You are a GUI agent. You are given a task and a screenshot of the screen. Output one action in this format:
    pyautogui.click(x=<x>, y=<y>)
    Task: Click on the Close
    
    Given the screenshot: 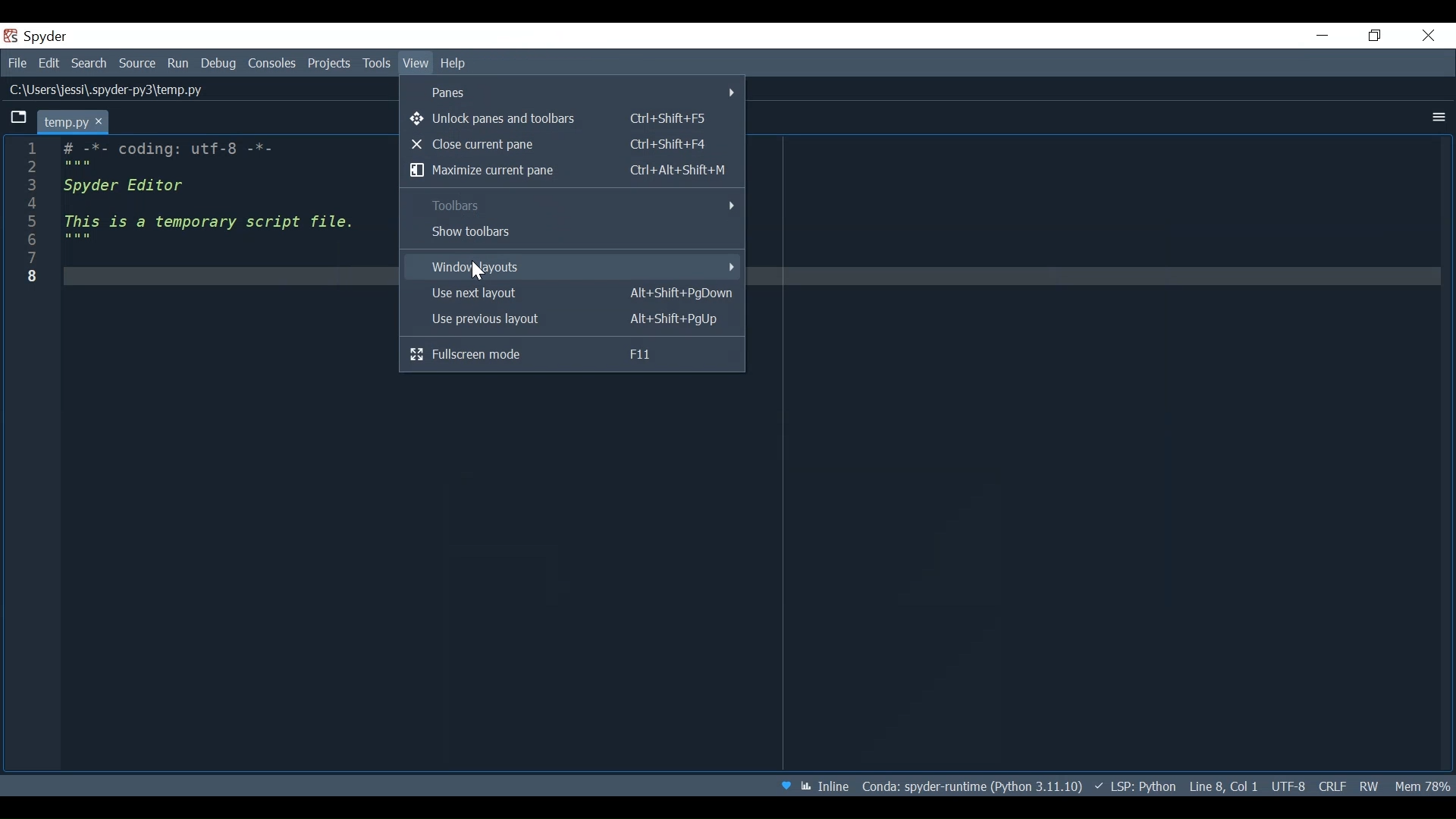 What is the action you would take?
    pyautogui.click(x=1427, y=36)
    